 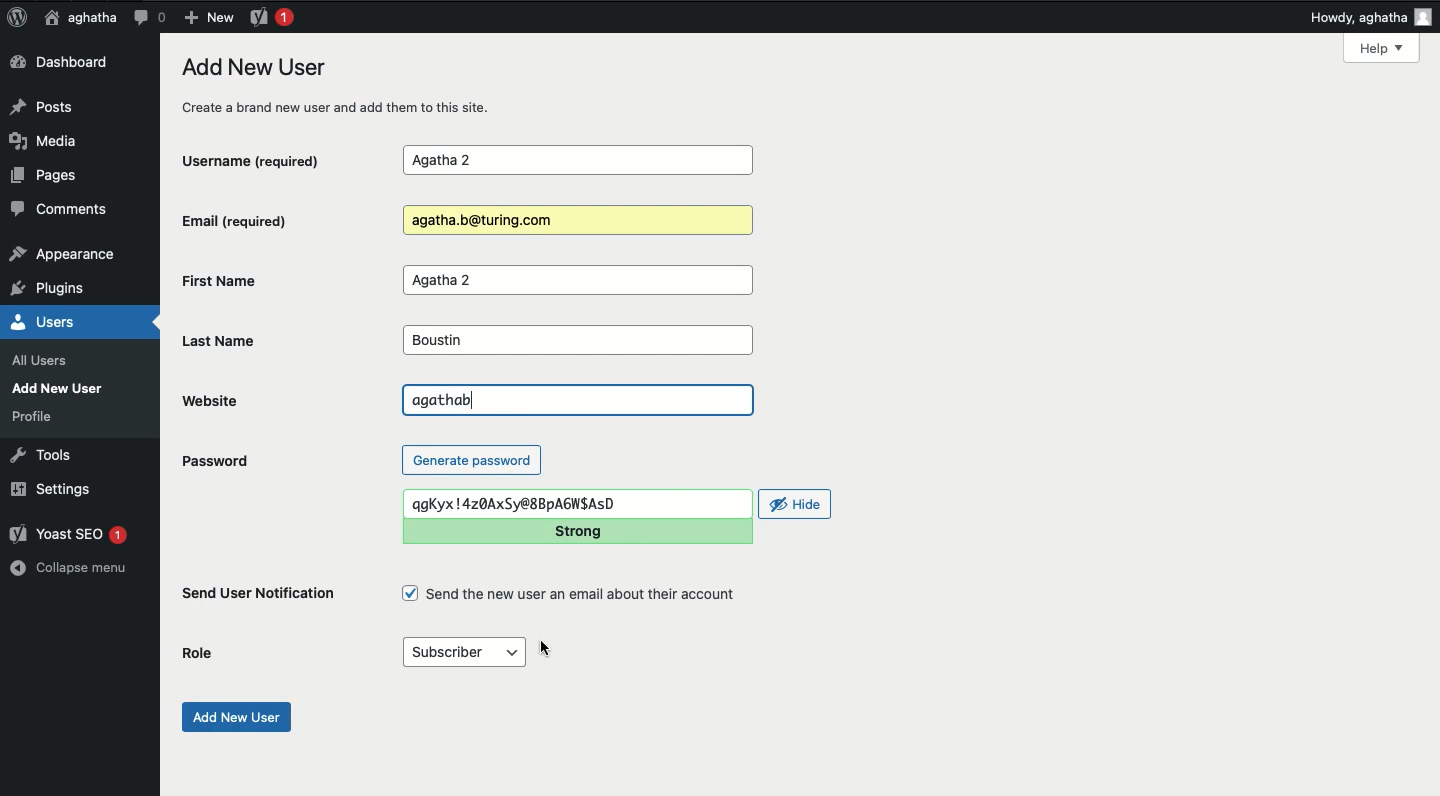 I want to click on First Name, so click(x=274, y=280).